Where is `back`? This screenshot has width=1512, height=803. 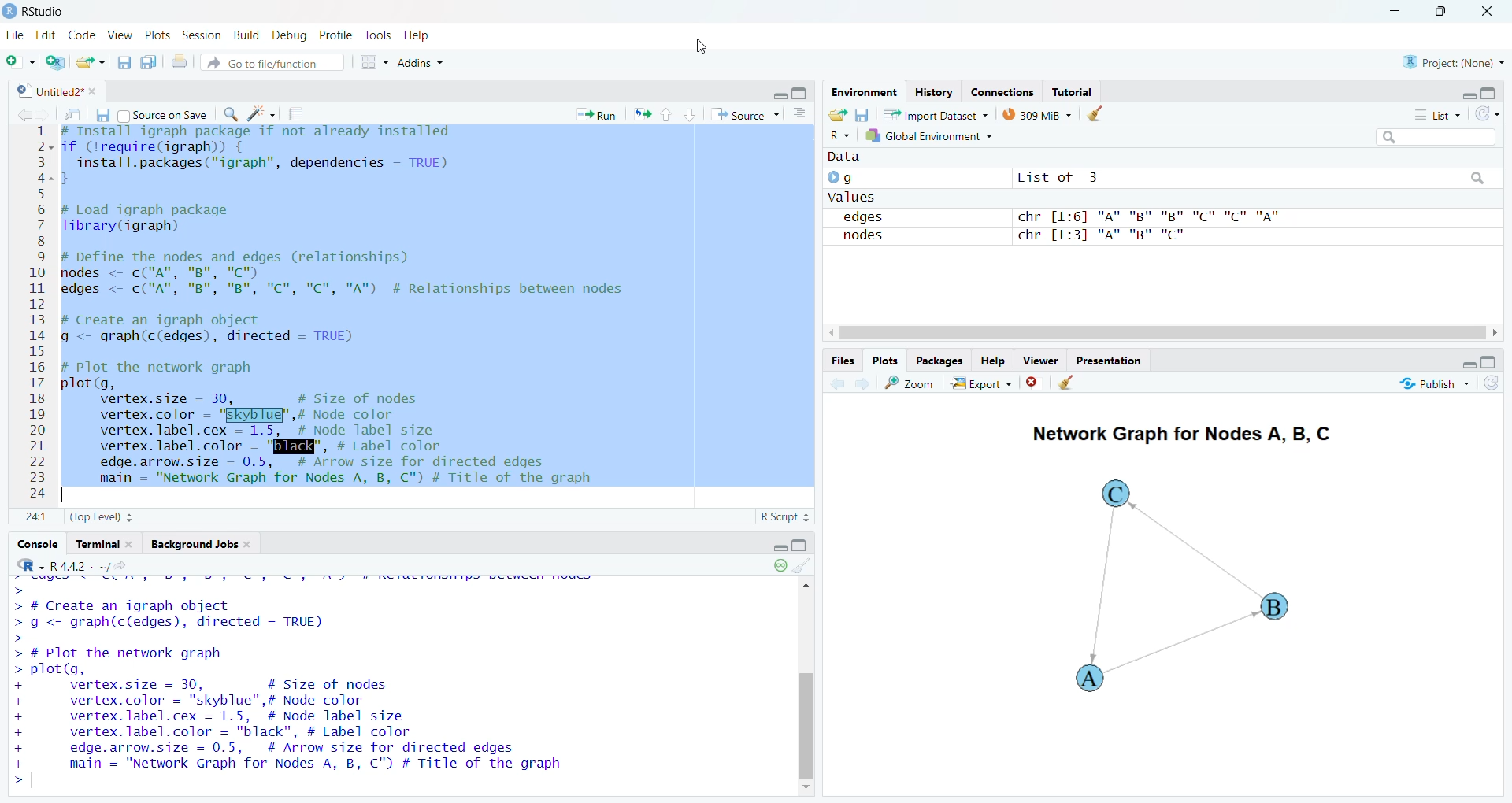
back is located at coordinates (834, 386).